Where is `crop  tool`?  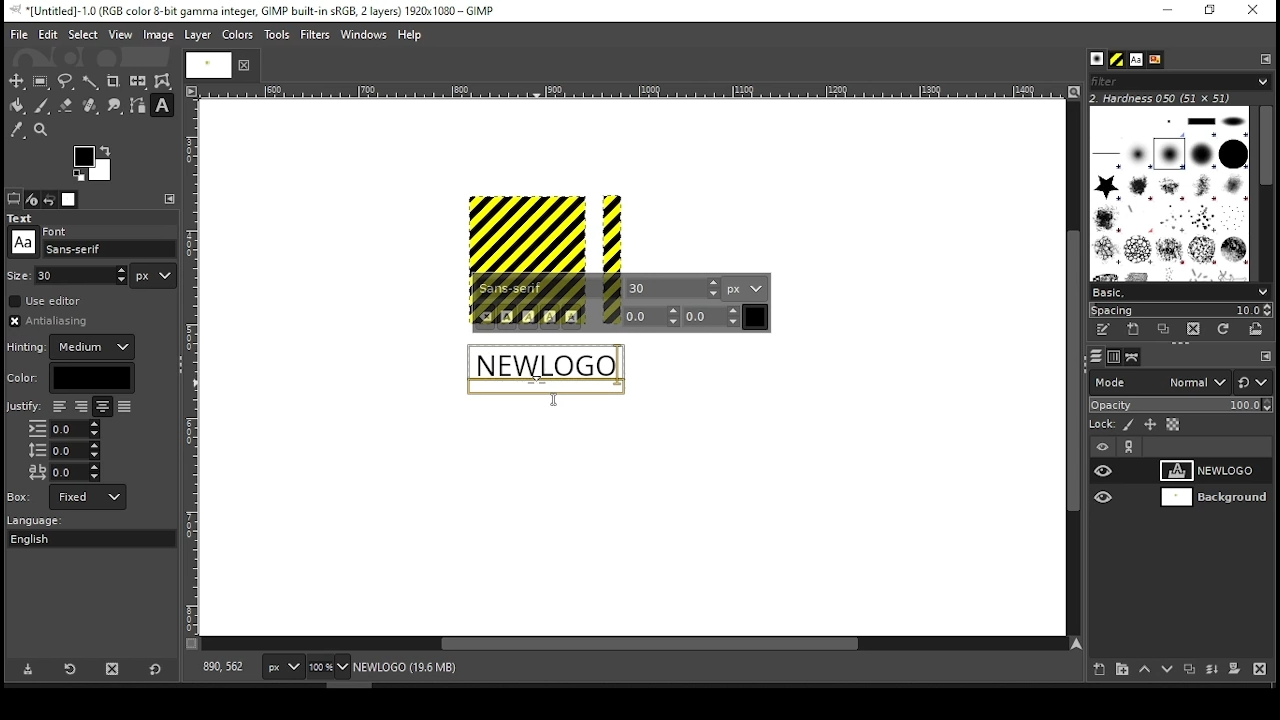 crop  tool is located at coordinates (113, 82).